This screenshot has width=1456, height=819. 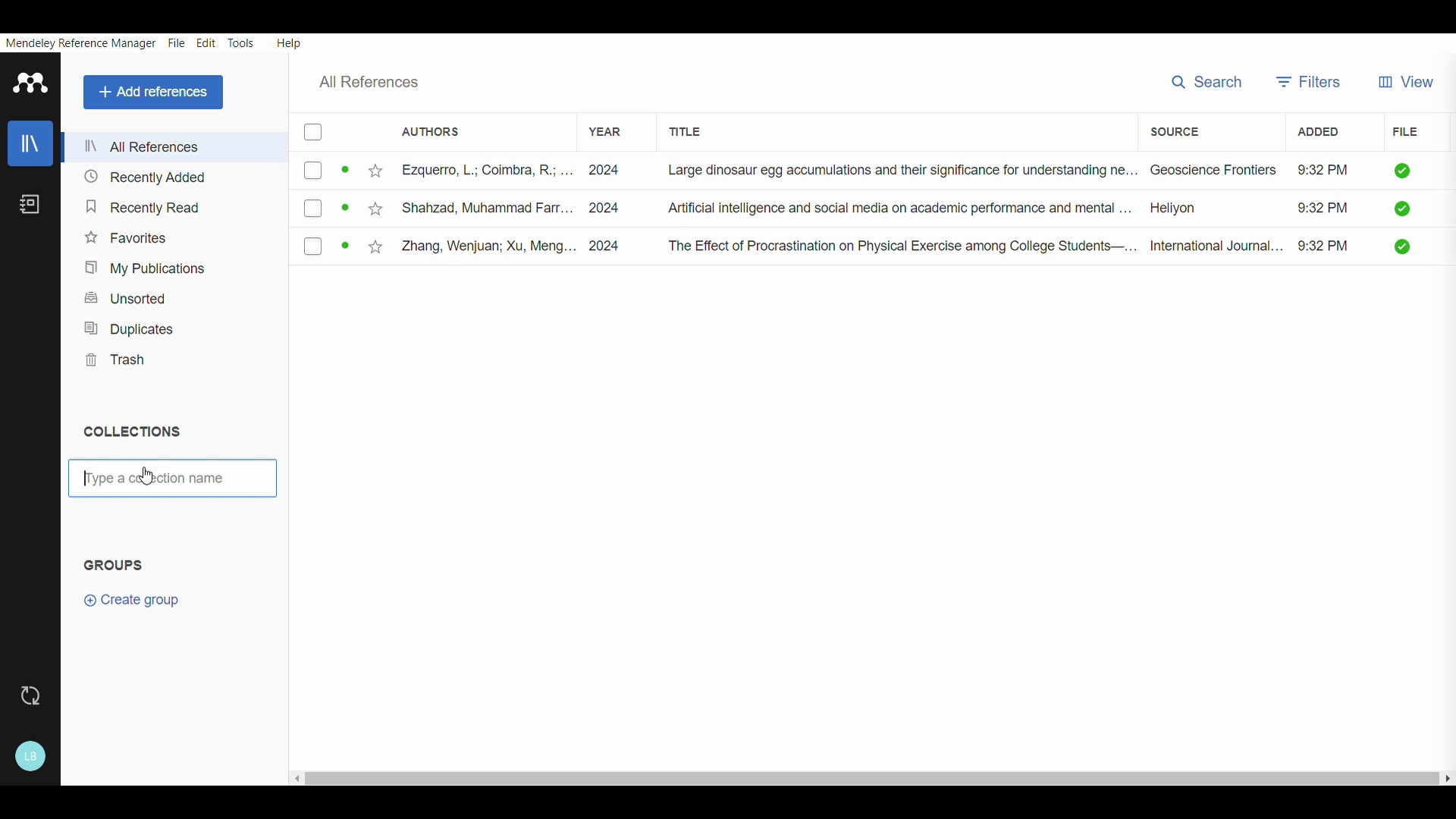 What do you see at coordinates (604, 170) in the screenshot?
I see `. 2024` at bounding box center [604, 170].